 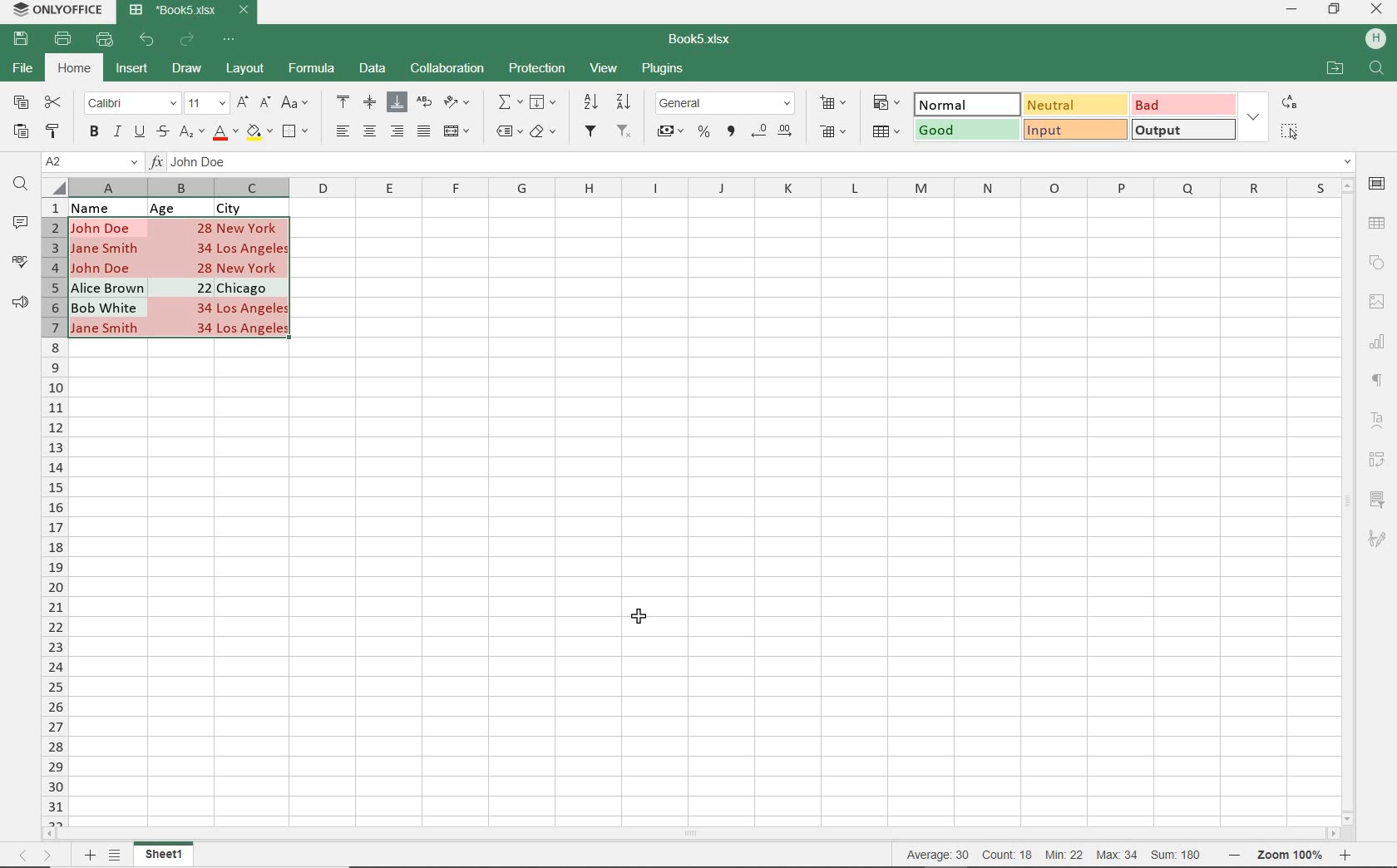 What do you see at coordinates (706, 40) in the screenshot?
I see `DOCUMENT NAME` at bounding box center [706, 40].